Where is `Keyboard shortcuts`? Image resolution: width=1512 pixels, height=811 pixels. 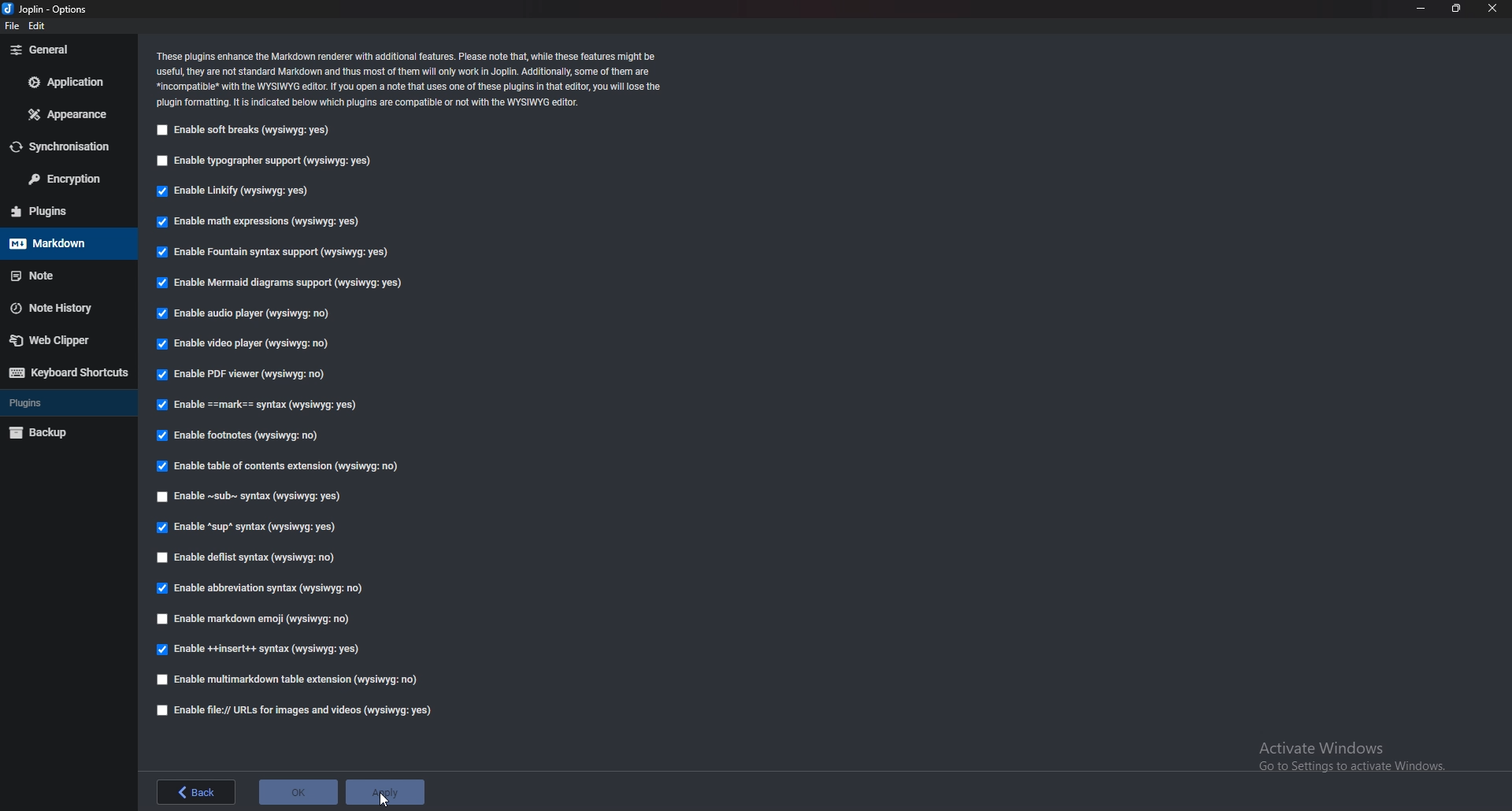
Keyboard shortcuts is located at coordinates (67, 372).